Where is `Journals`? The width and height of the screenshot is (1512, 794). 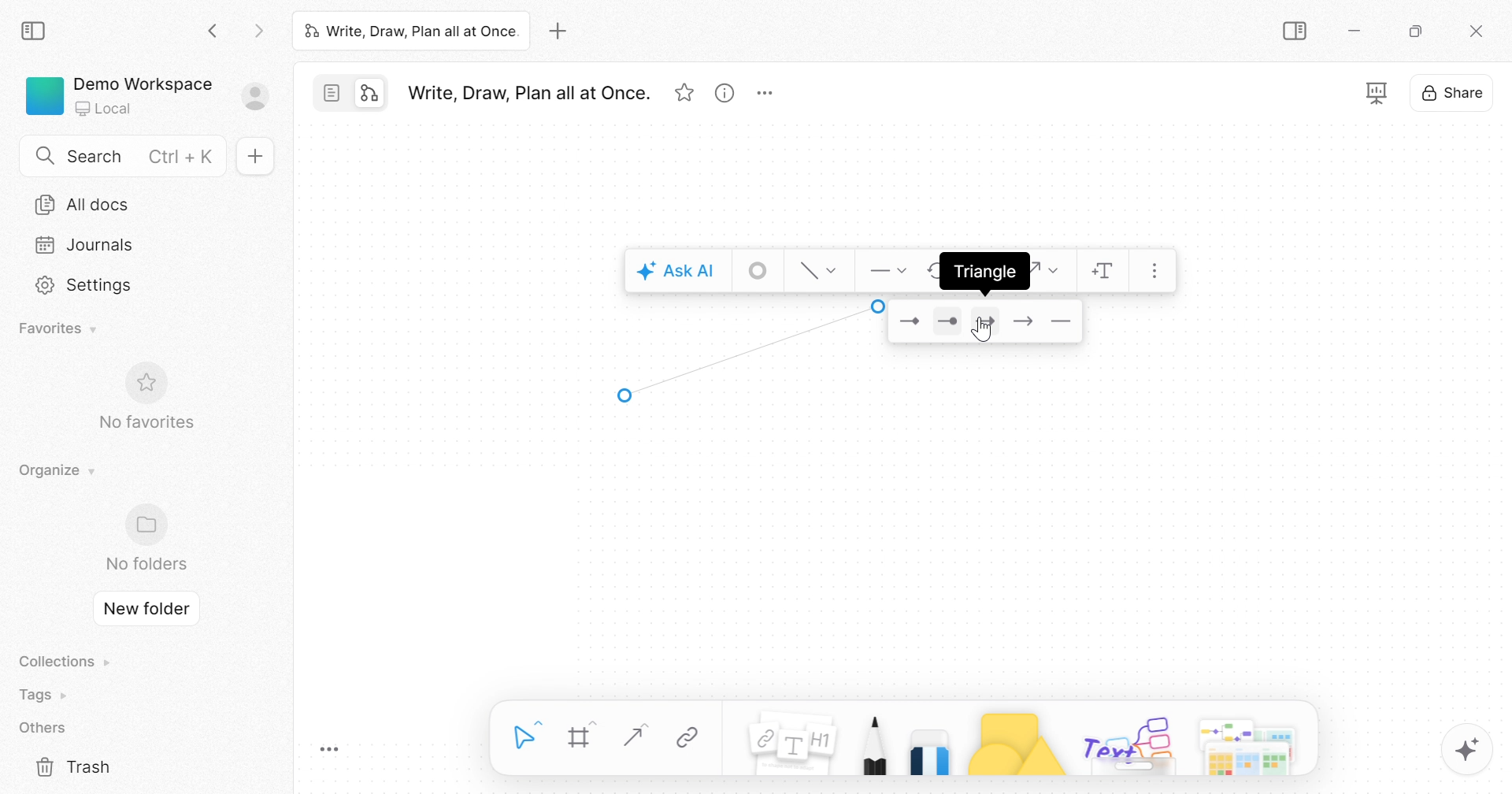
Journals is located at coordinates (80, 244).